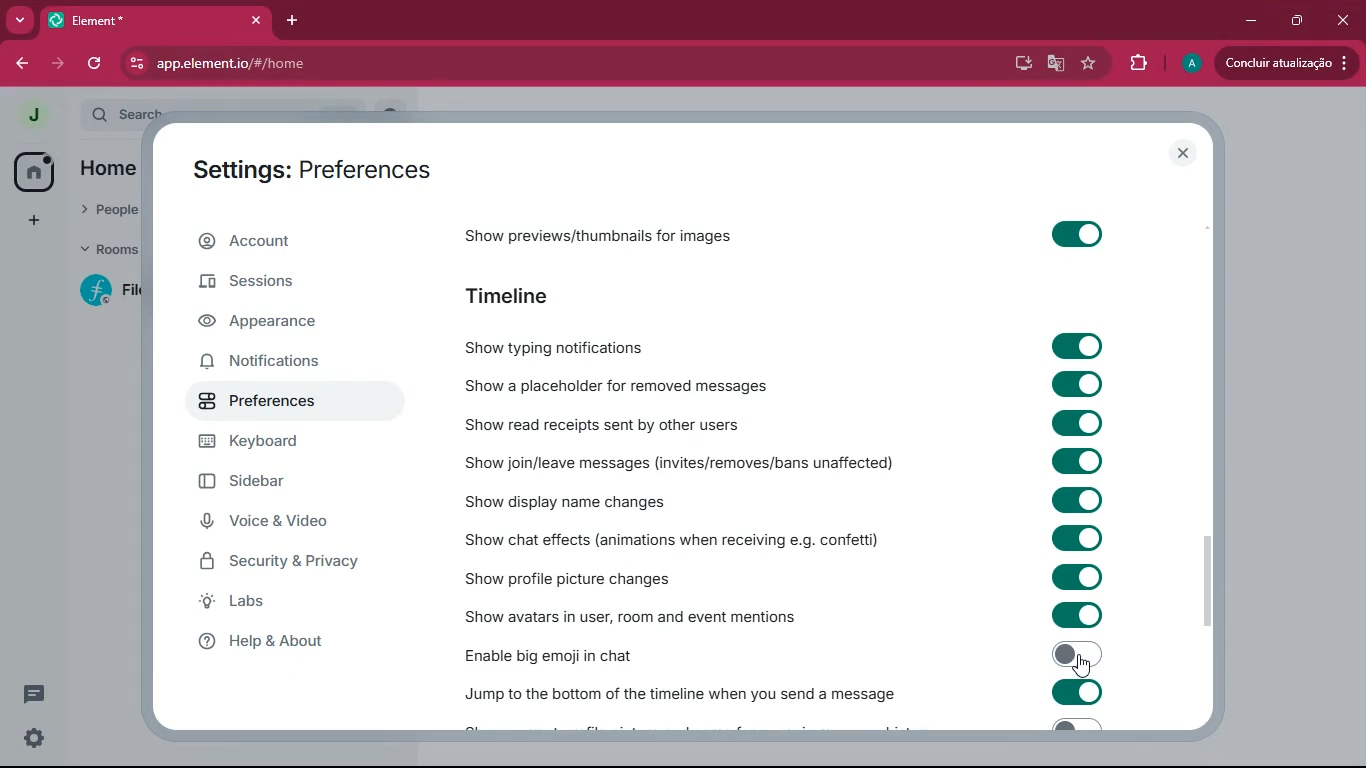 This screenshot has height=768, width=1366. Describe the element at coordinates (104, 211) in the screenshot. I see `people` at that location.